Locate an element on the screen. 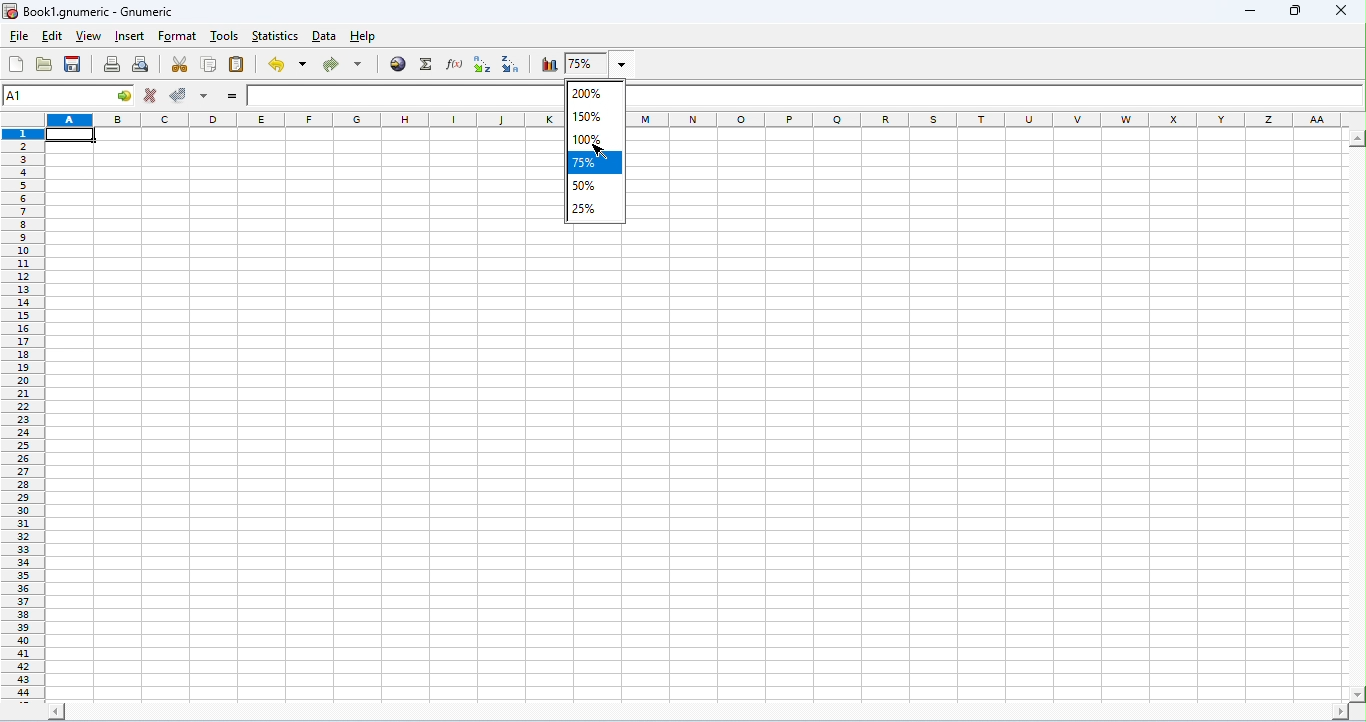  75% is located at coordinates (596, 163).